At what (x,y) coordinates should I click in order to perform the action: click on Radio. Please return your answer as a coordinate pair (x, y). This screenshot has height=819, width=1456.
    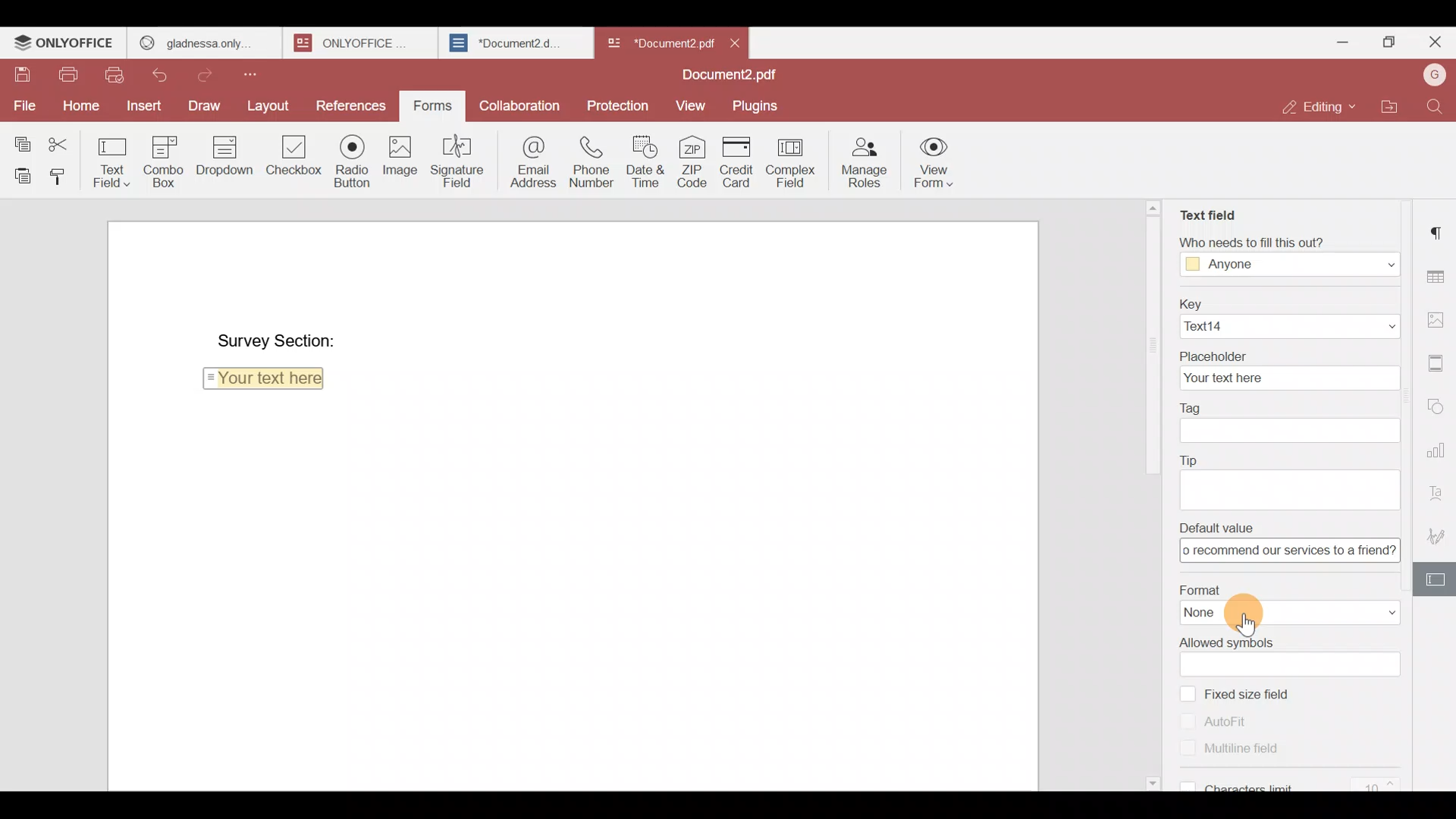
    Looking at the image, I should click on (351, 158).